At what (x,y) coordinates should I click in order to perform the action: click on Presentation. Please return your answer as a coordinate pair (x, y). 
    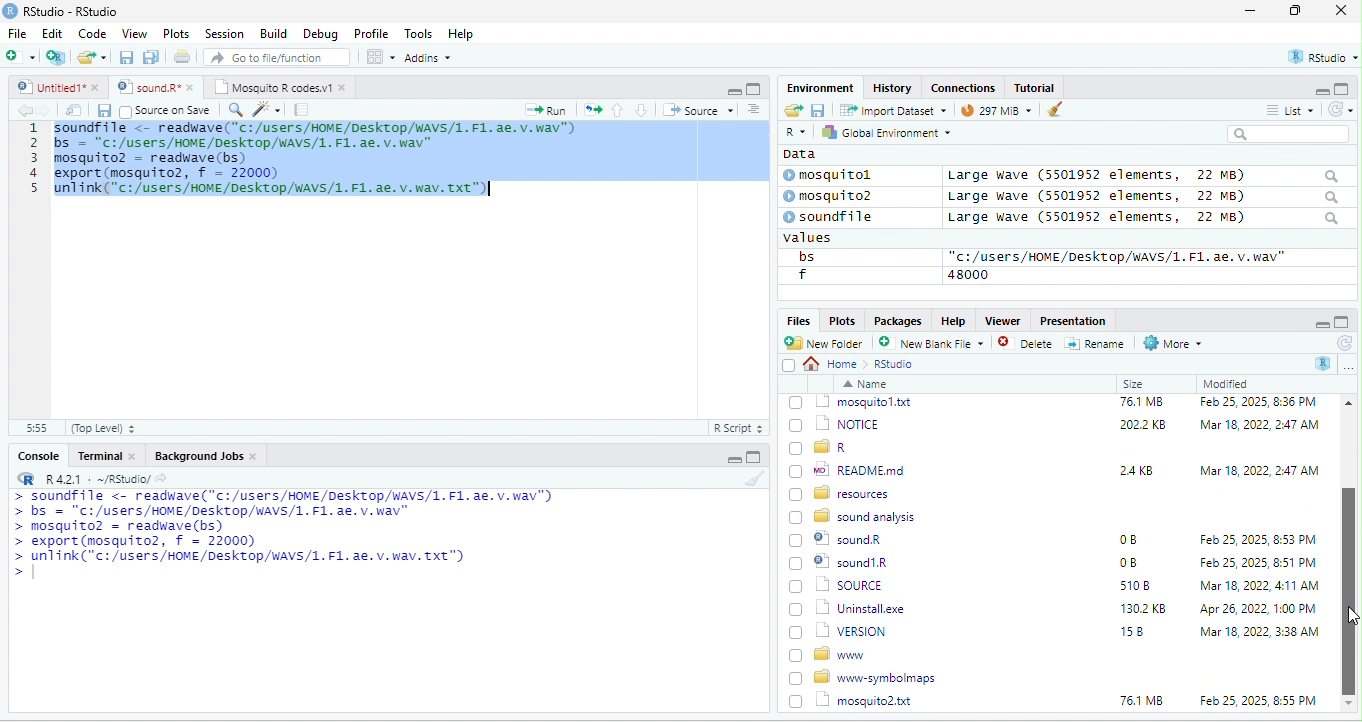
    Looking at the image, I should click on (1071, 320).